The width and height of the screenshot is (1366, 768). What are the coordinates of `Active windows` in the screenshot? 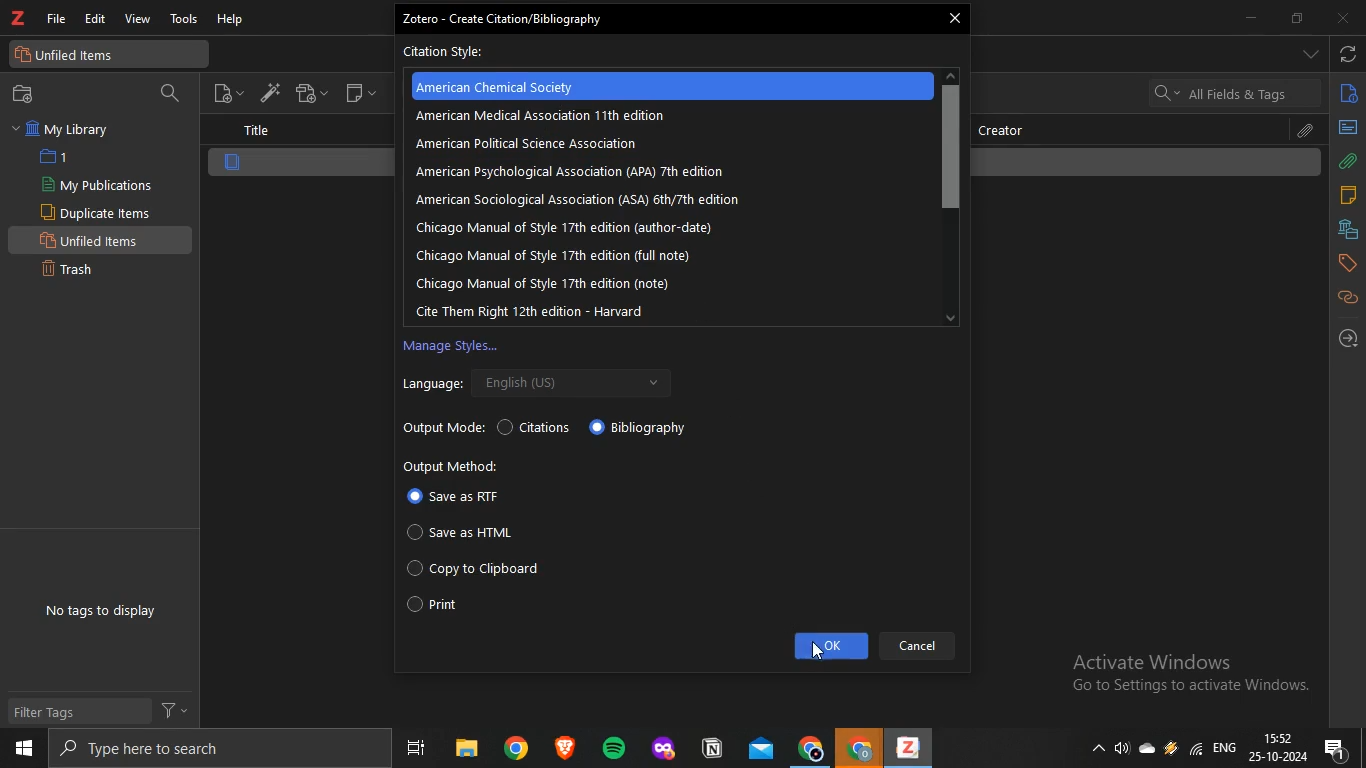 It's located at (1184, 674).